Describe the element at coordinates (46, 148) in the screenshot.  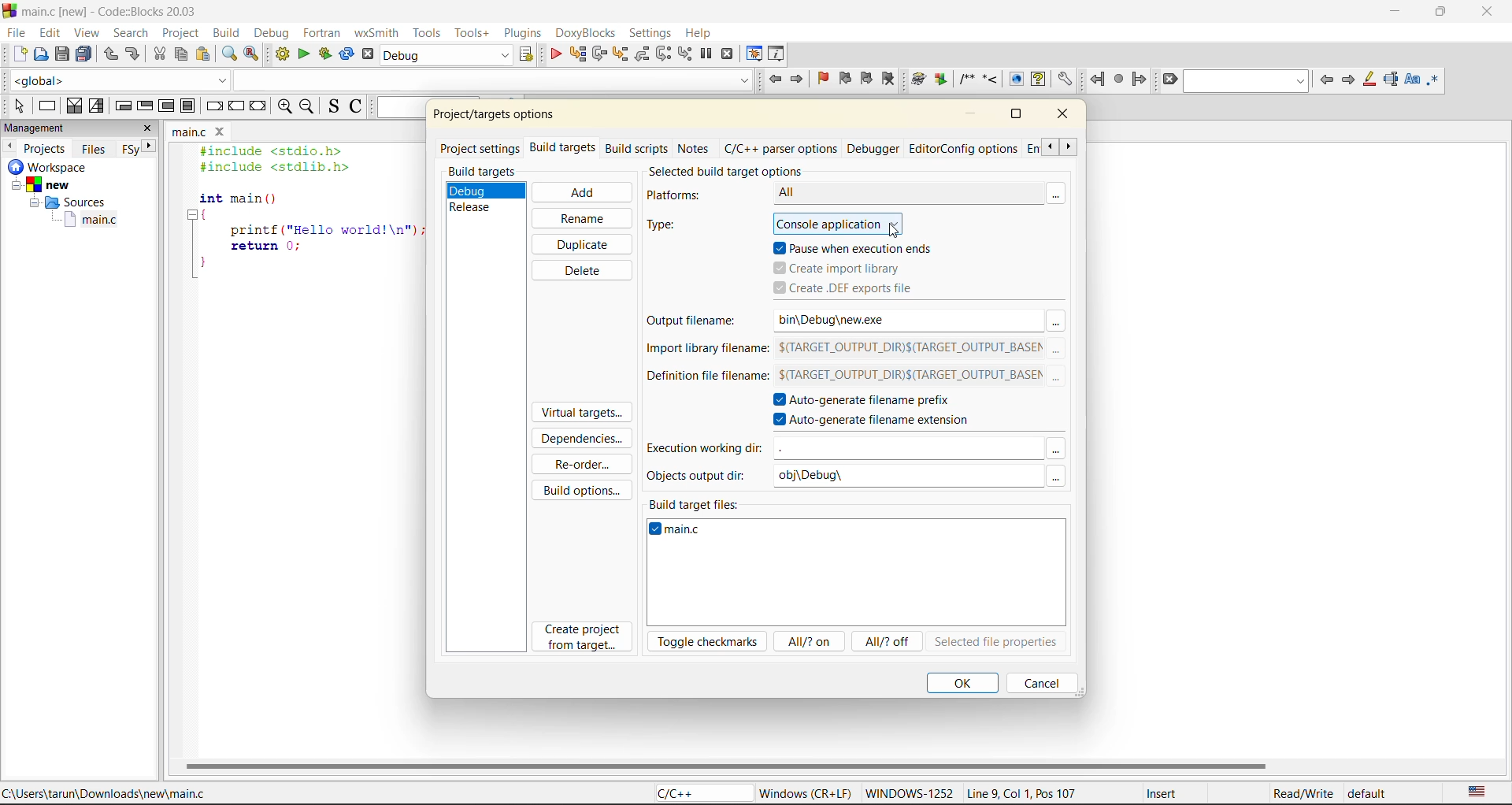
I see `projects` at that location.